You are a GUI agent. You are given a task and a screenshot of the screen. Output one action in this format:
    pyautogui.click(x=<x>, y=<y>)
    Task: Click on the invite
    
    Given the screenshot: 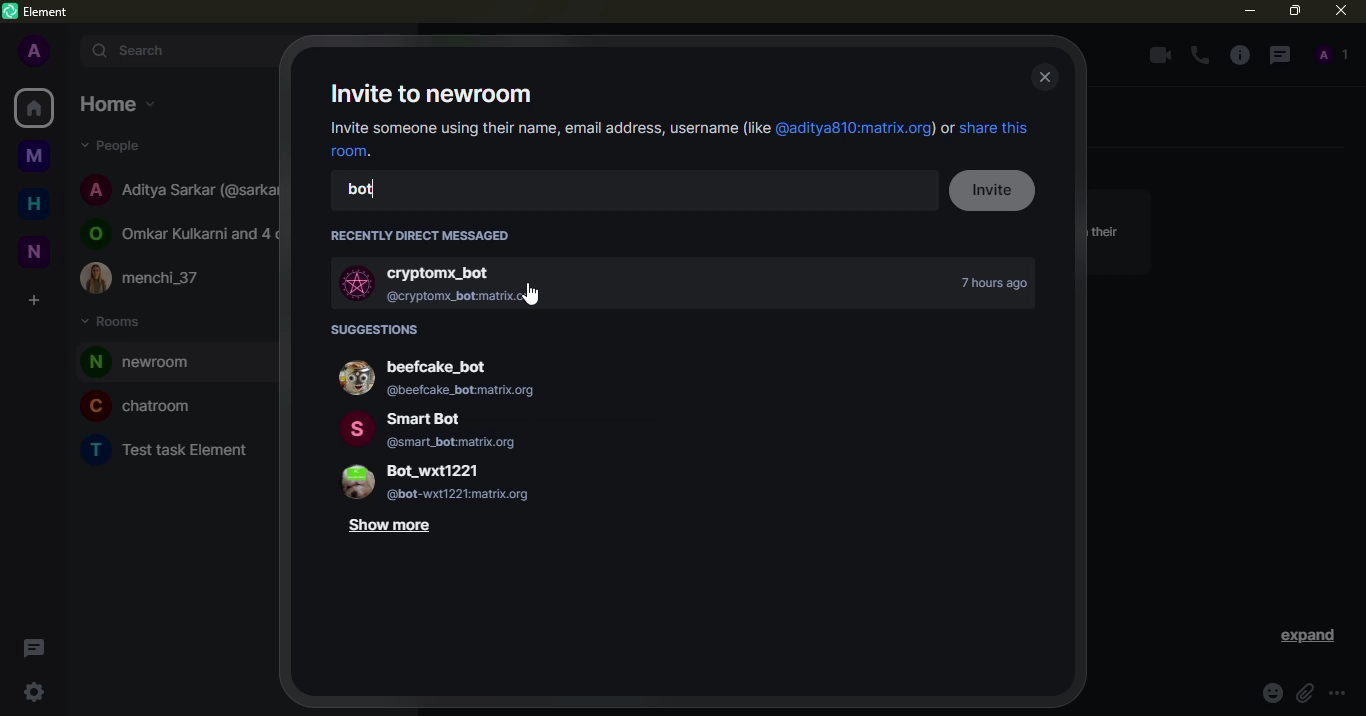 What is the action you would take?
    pyautogui.click(x=990, y=191)
    